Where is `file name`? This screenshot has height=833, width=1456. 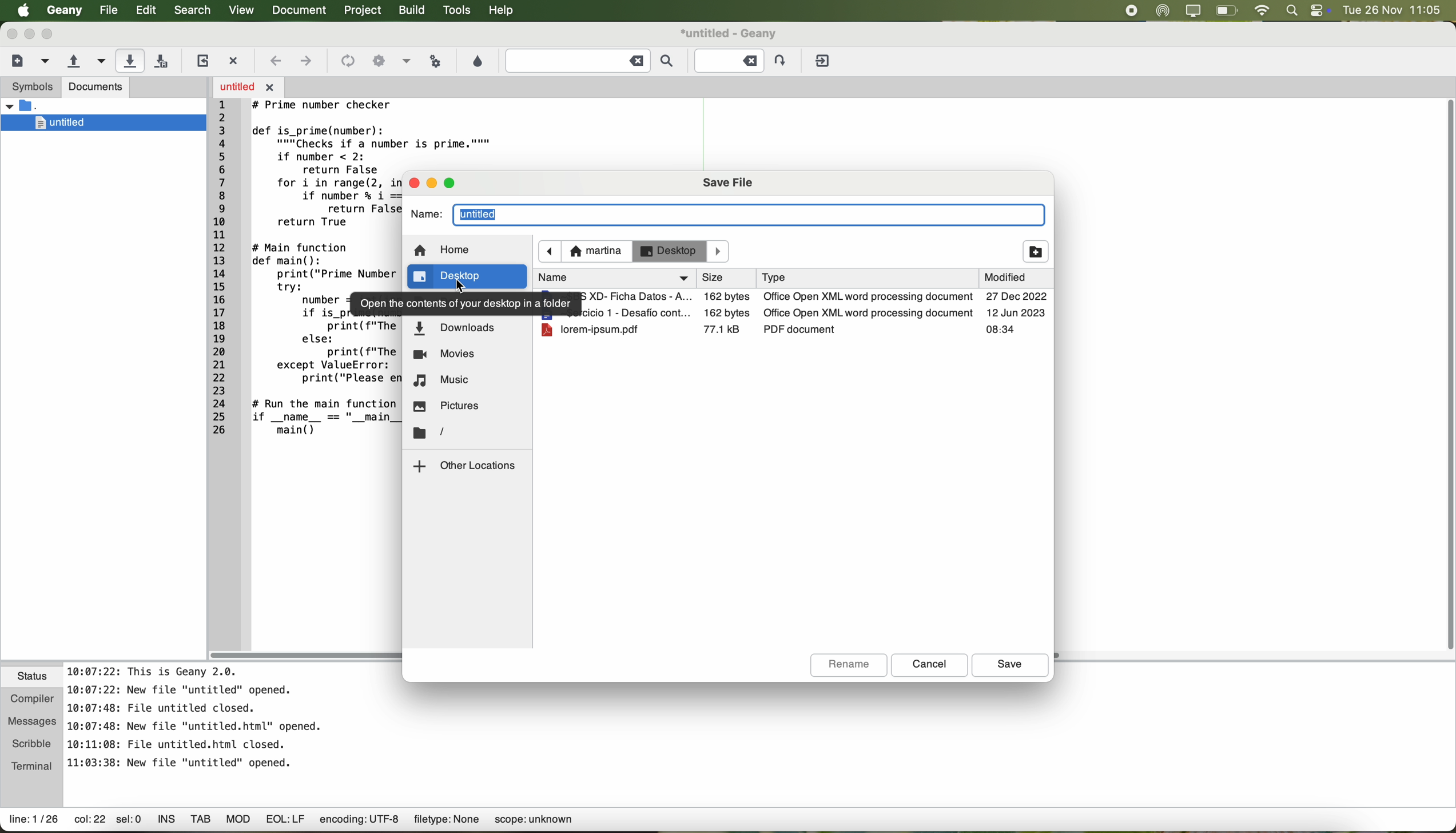
file name is located at coordinates (729, 33).